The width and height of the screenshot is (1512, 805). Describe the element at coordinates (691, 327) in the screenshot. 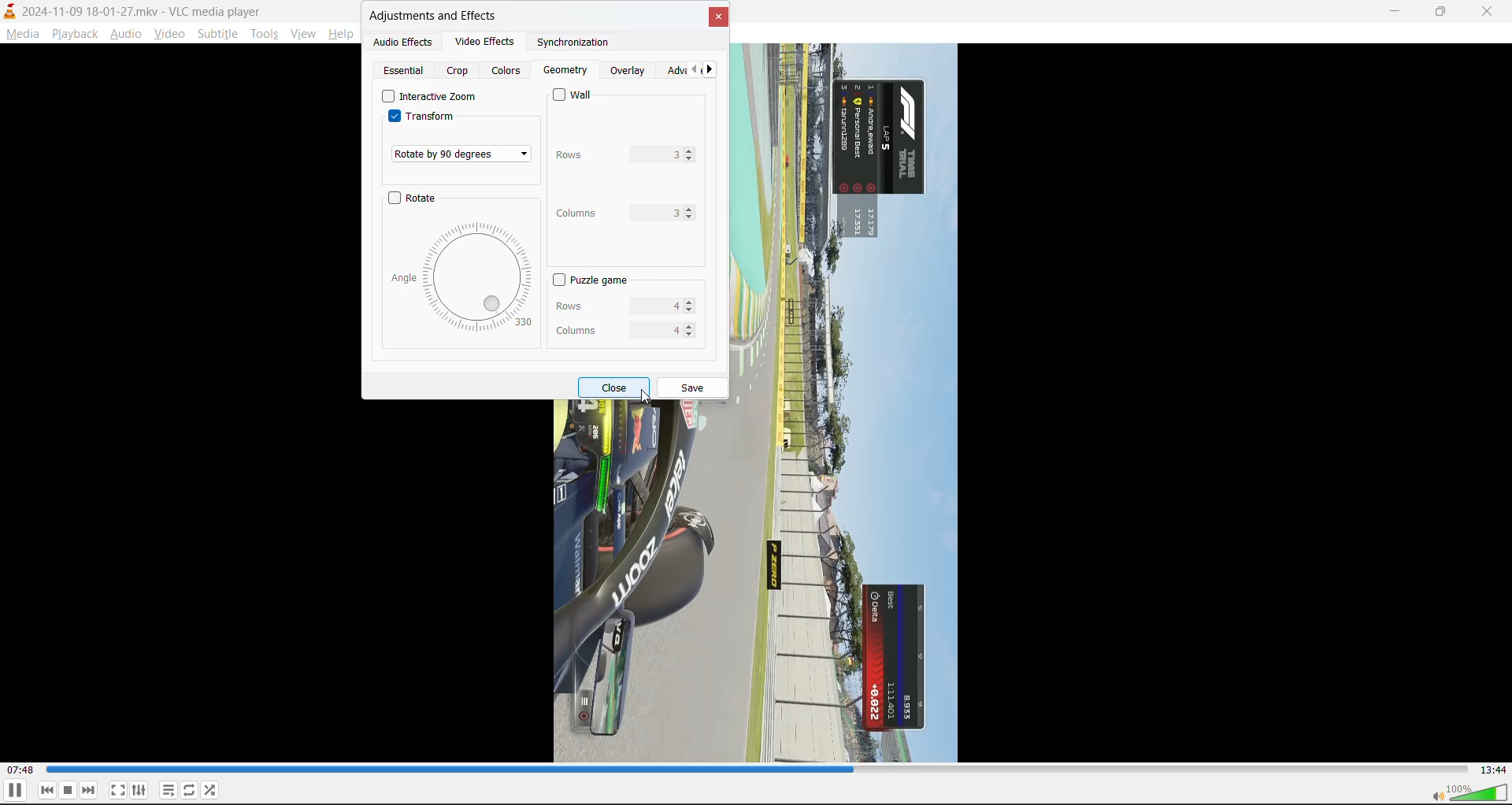

I see `increase` at that location.